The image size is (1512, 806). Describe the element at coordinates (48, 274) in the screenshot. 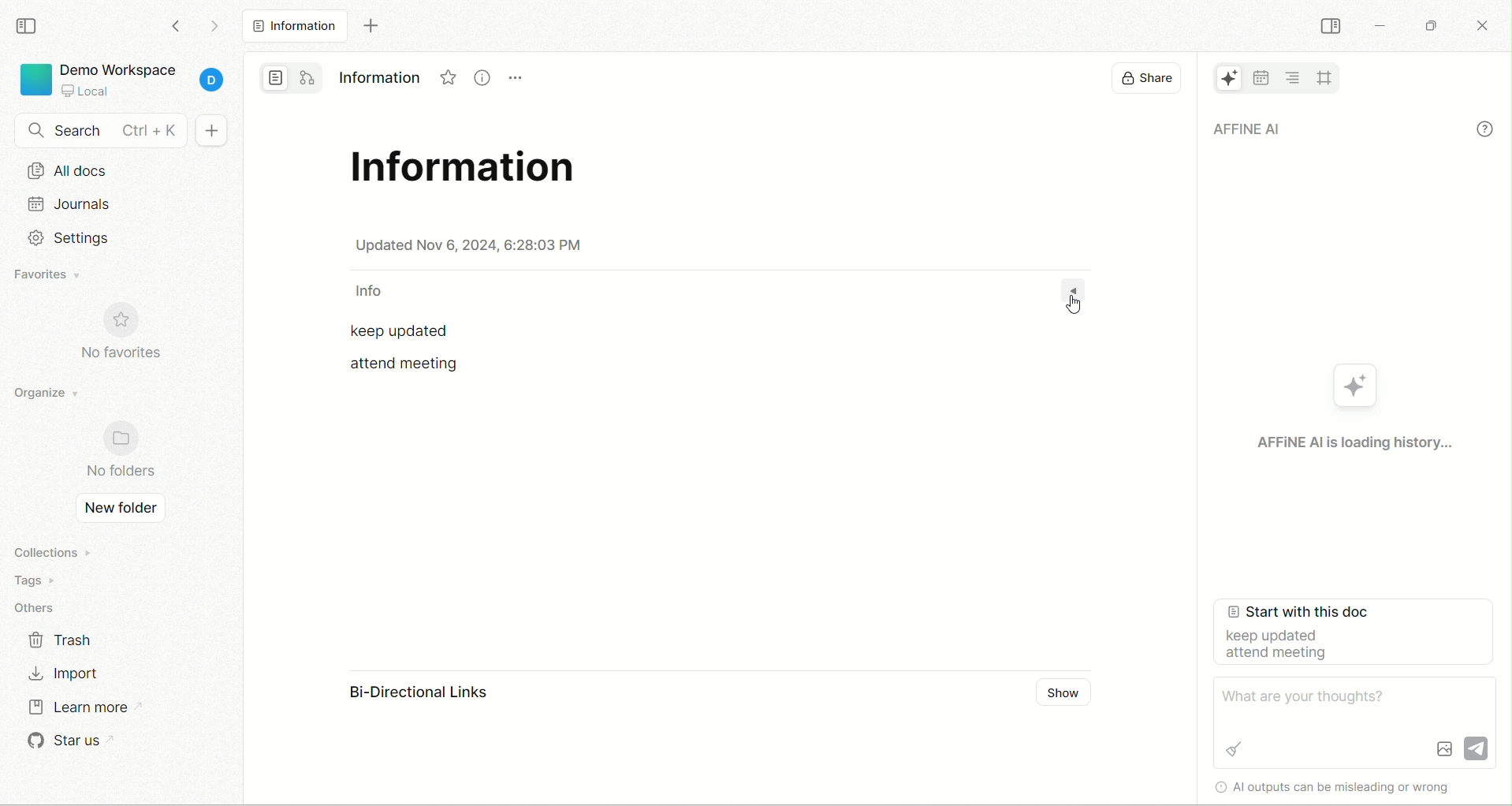

I see `favorites` at that location.